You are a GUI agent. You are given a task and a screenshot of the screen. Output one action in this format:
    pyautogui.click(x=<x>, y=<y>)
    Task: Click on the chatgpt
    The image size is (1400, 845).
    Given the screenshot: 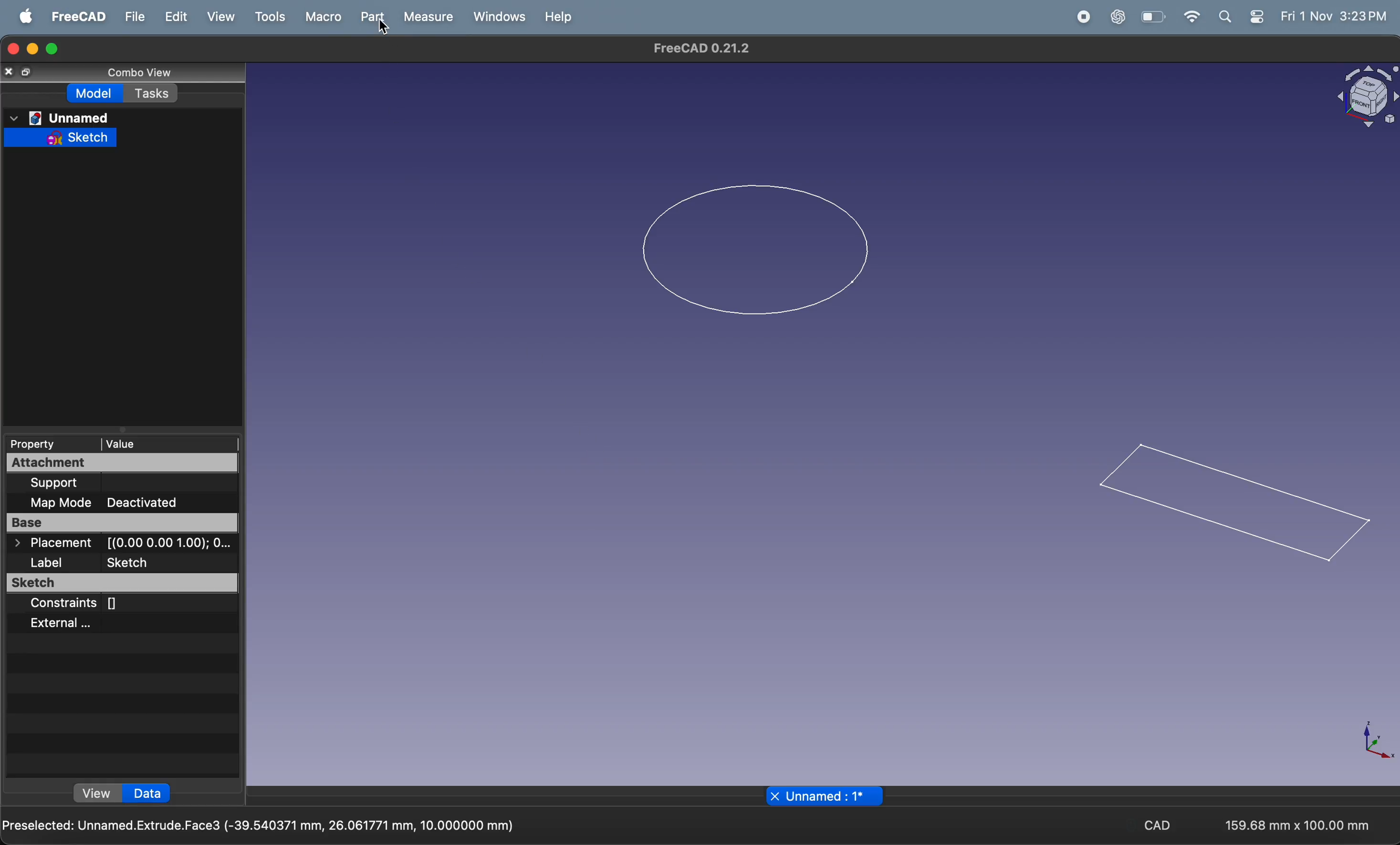 What is the action you would take?
    pyautogui.click(x=1118, y=16)
    